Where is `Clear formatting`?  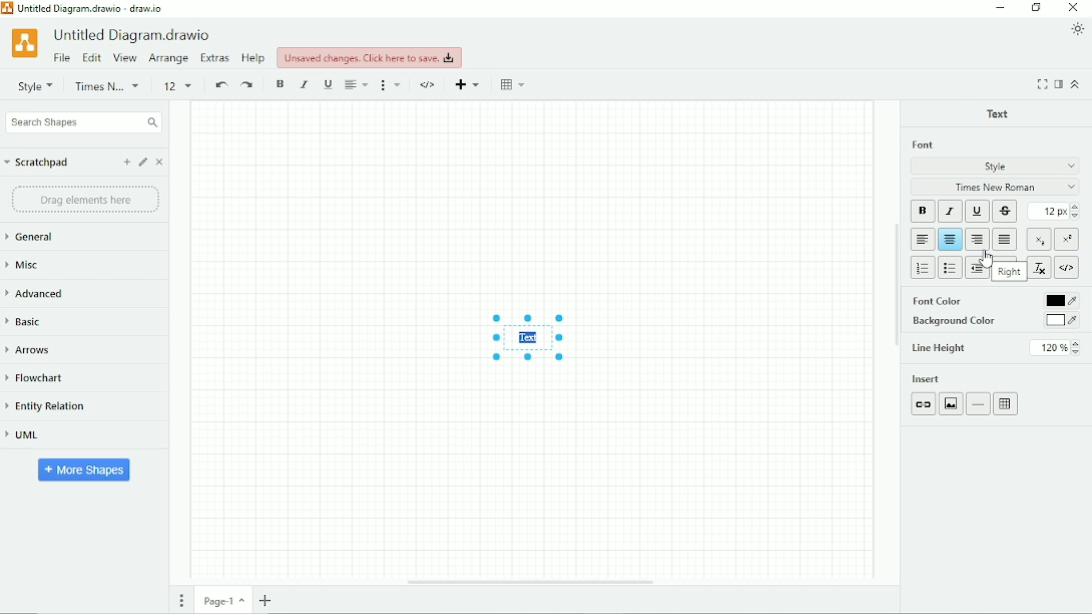
Clear formatting is located at coordinates (1039, 267).